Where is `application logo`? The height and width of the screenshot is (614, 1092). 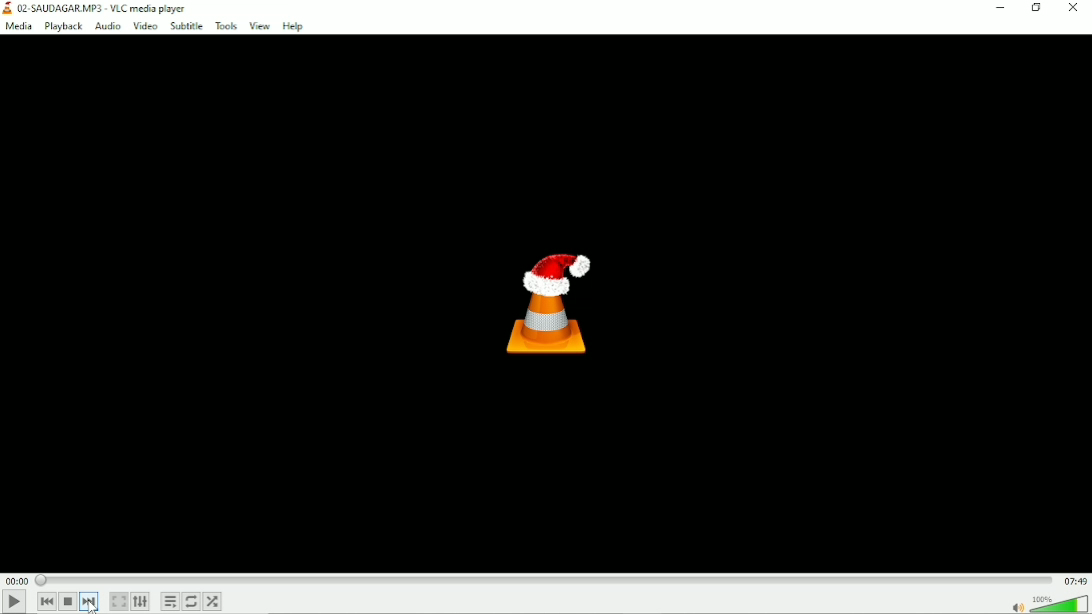
application logo is located at coordinates (7, 8).